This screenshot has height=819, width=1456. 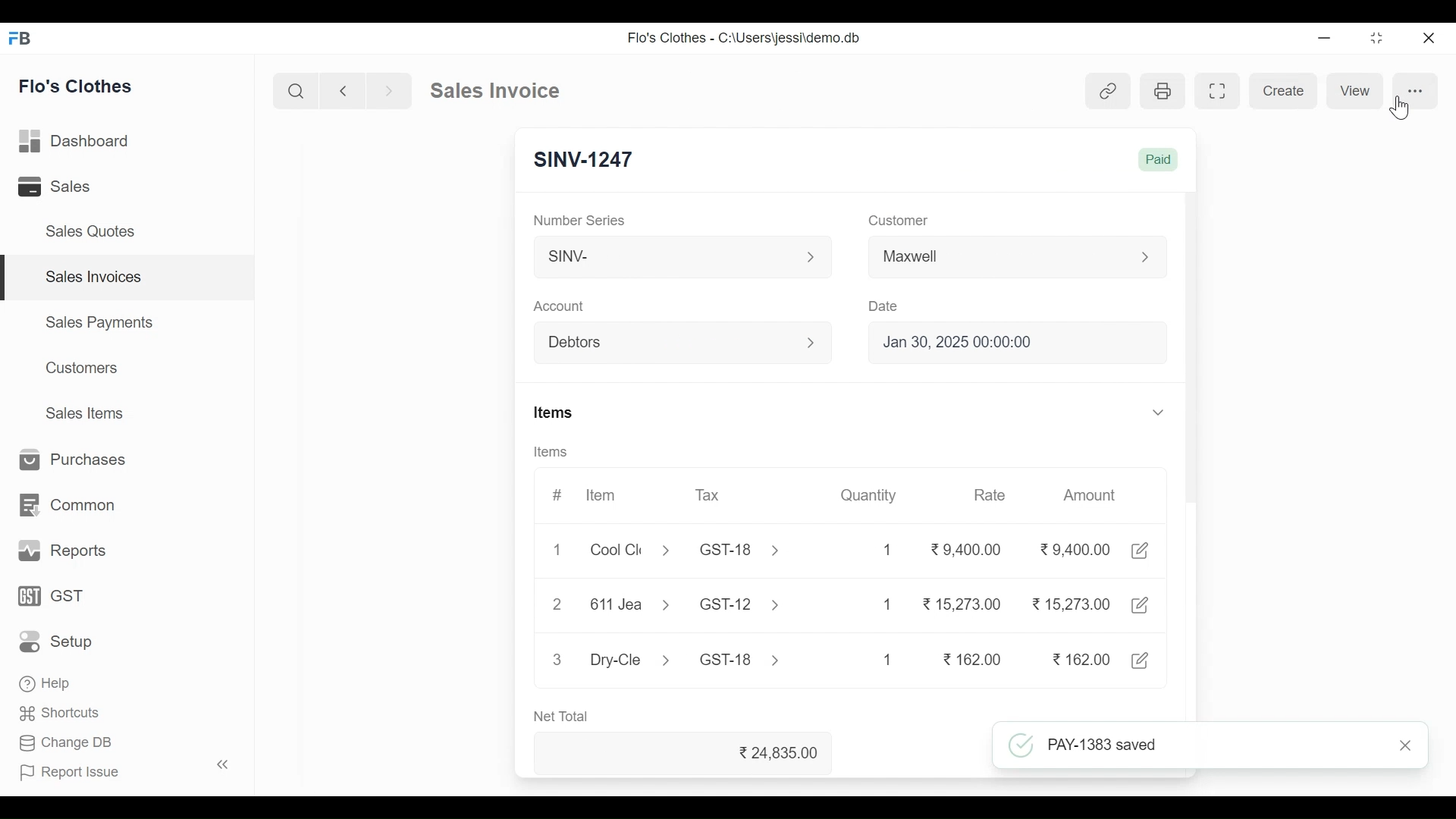 I want to click on PAY-1383 saved, so click(x=1192, y=746).